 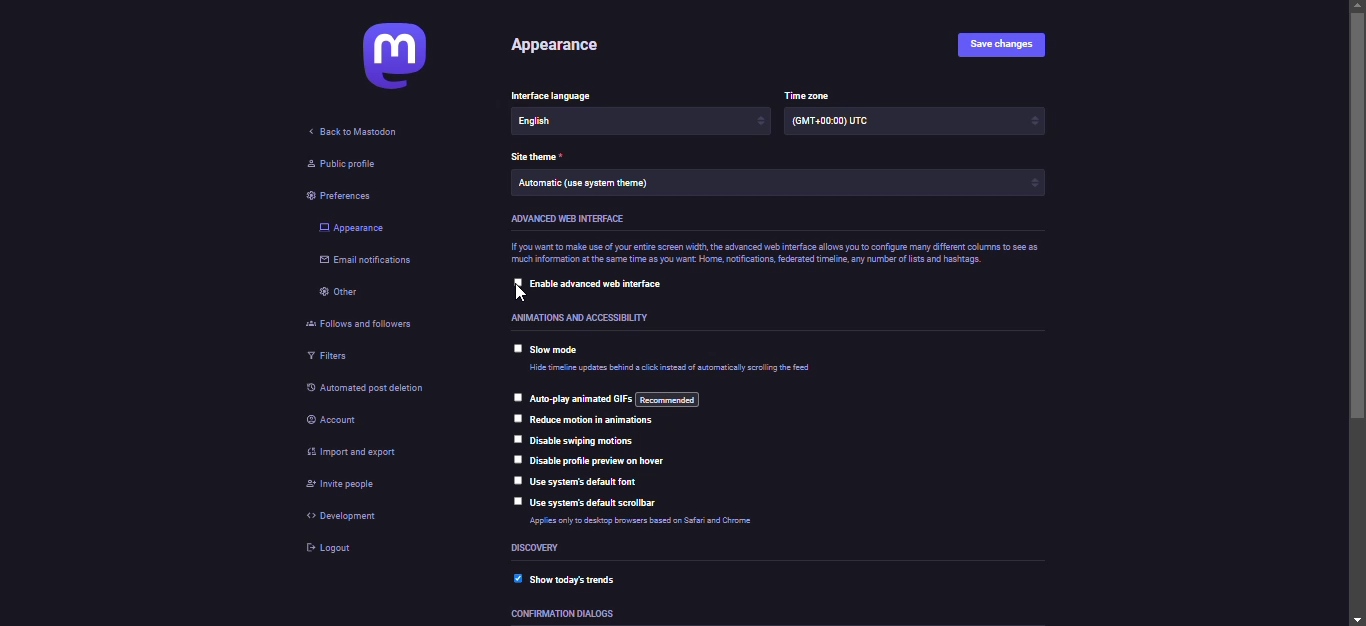 What do you see at coordinates (341, 195) in the screenshot?
I see `preferences` at bounding box center [341, 195].